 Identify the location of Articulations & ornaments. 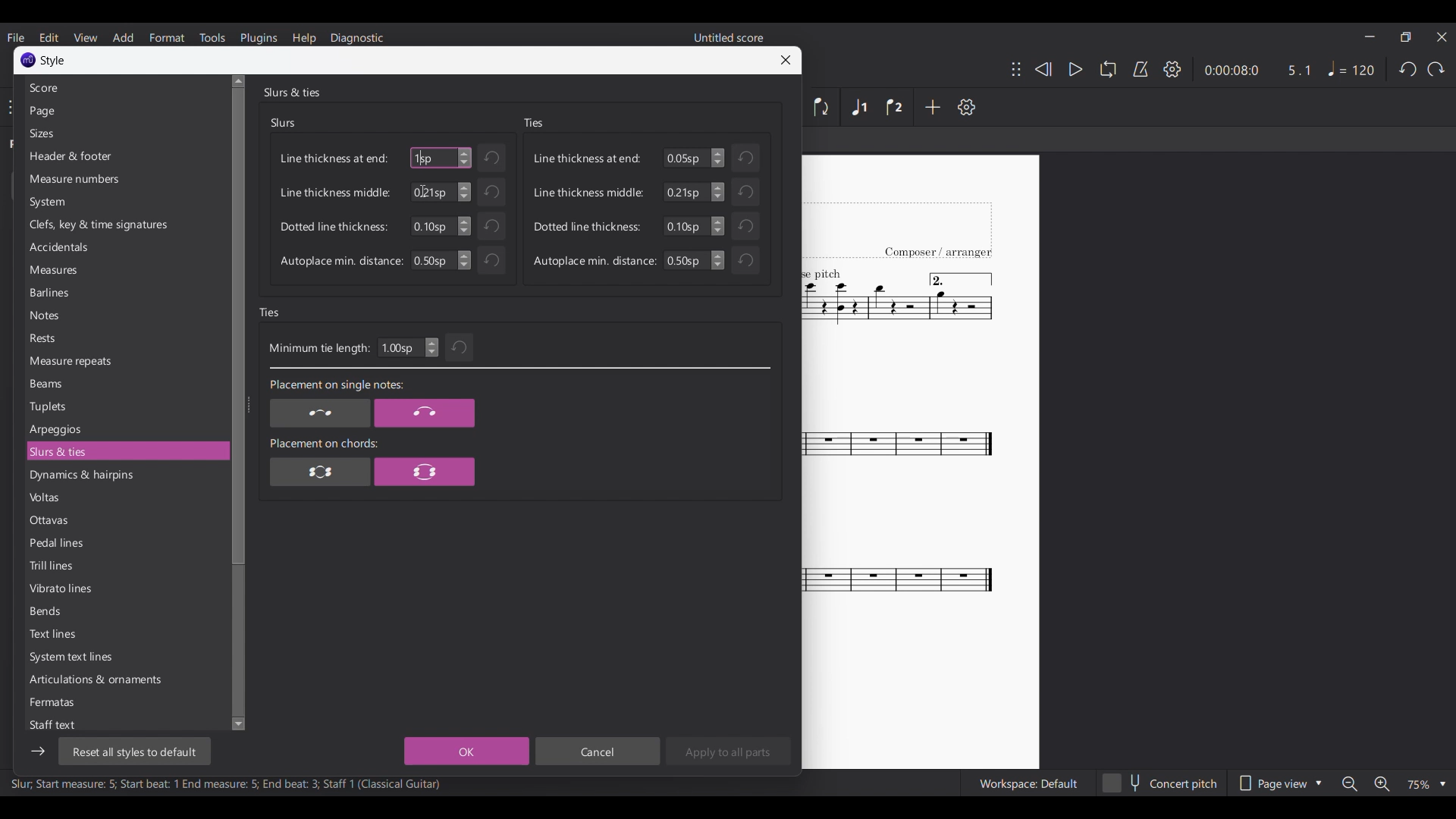
(125, 679).